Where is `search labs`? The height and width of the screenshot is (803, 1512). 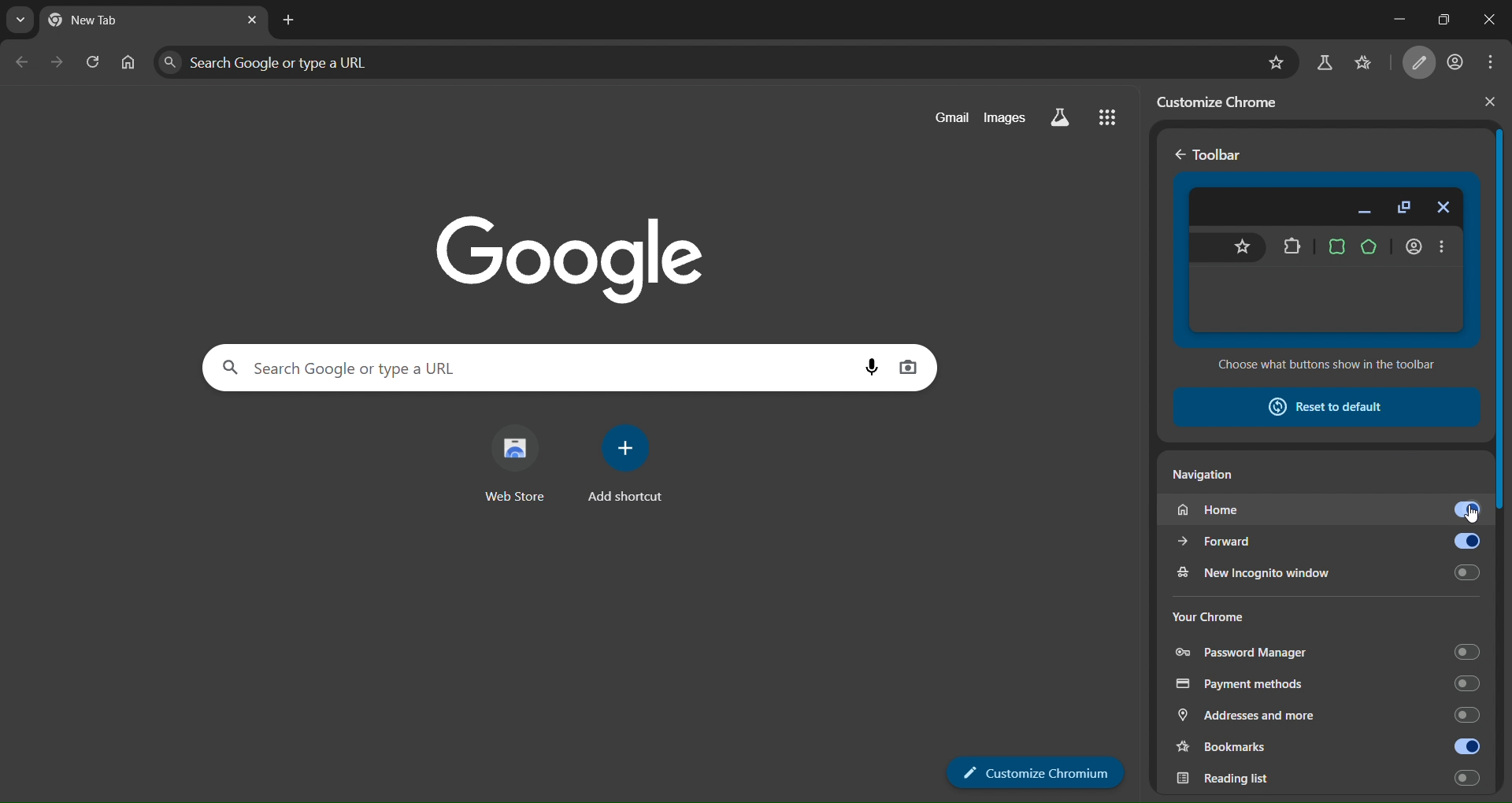
search labs is located at coordinates (1324, 63).